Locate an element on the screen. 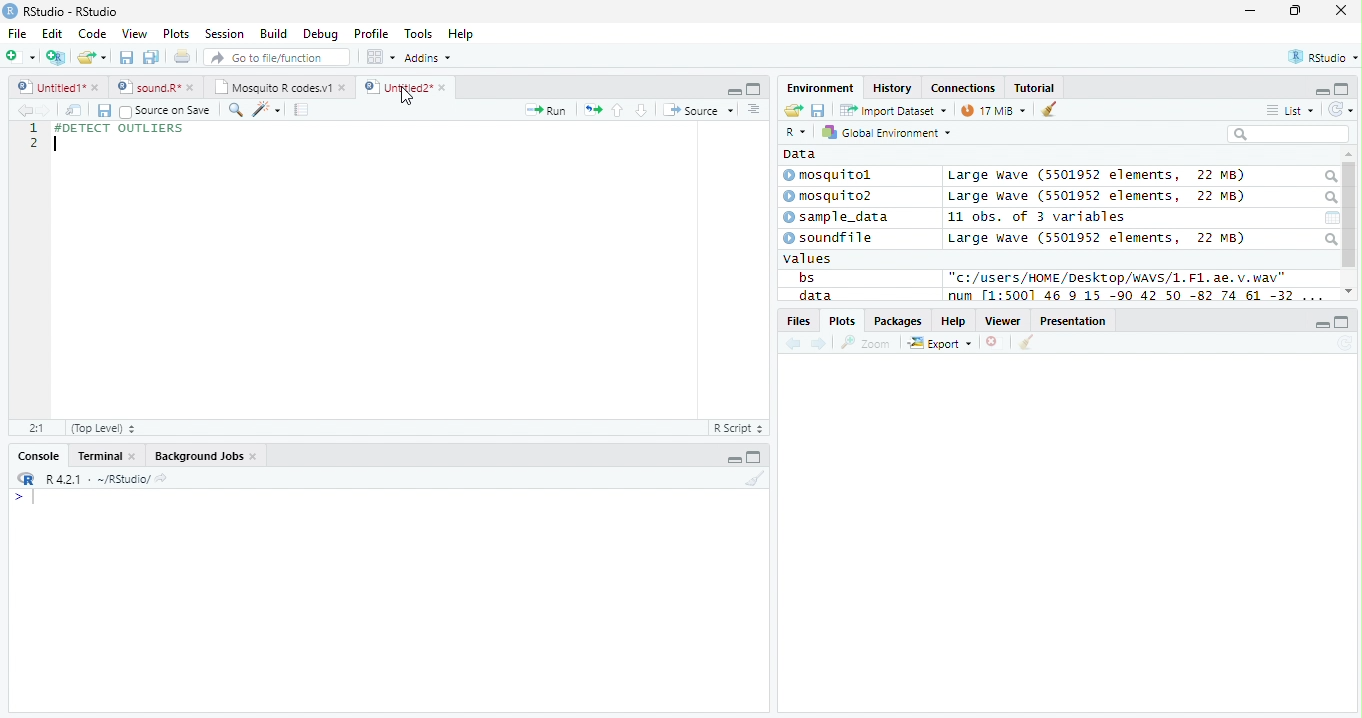 The width and height of the screenshot is (1362, 718). data is located at coordinates (813, 295).